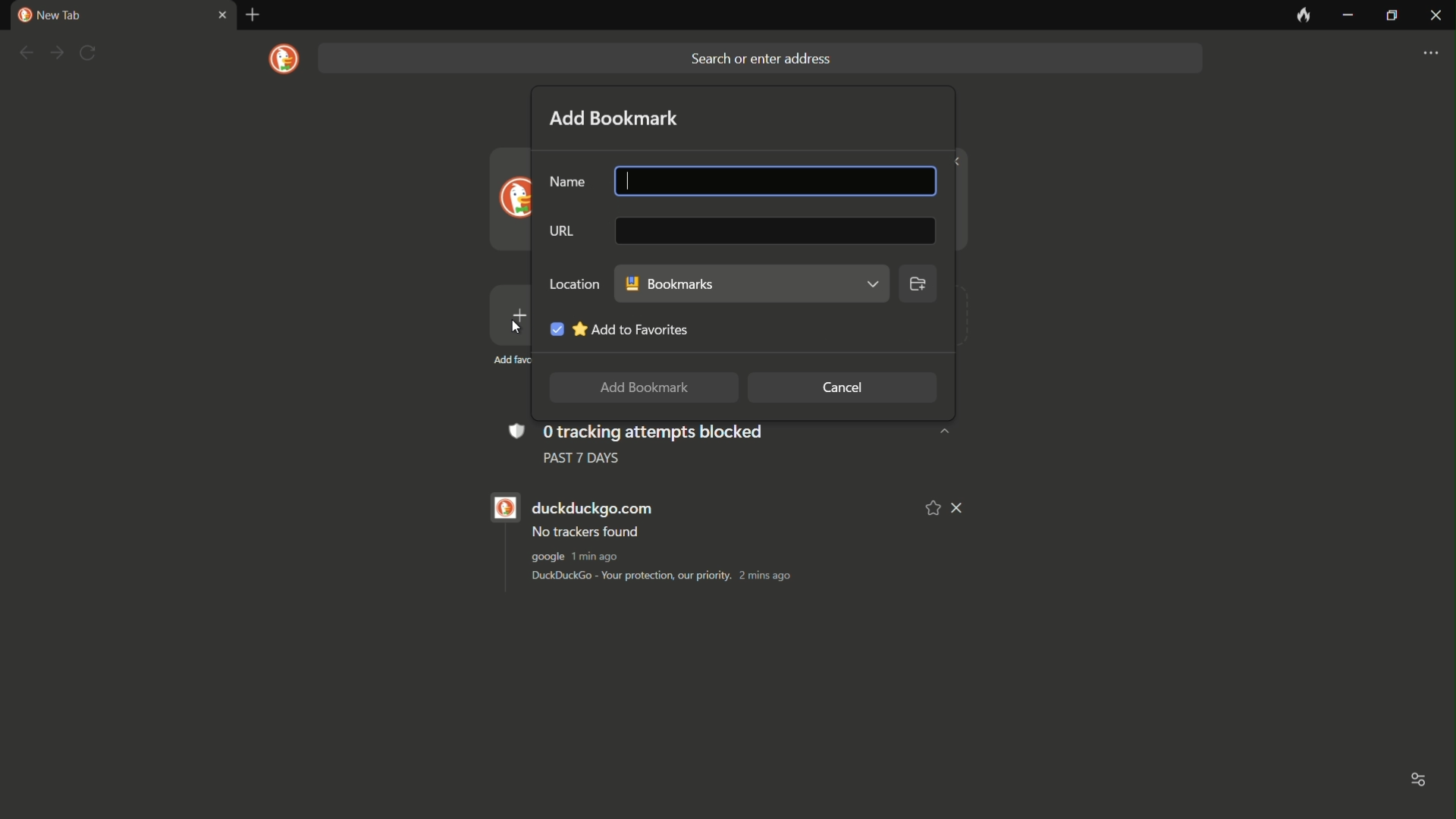 Image resolution: width=1456 pixels, height=819 pixels. Describe the element at coordinates (758, 58) in the screenshot. I see `search bar` at that location.